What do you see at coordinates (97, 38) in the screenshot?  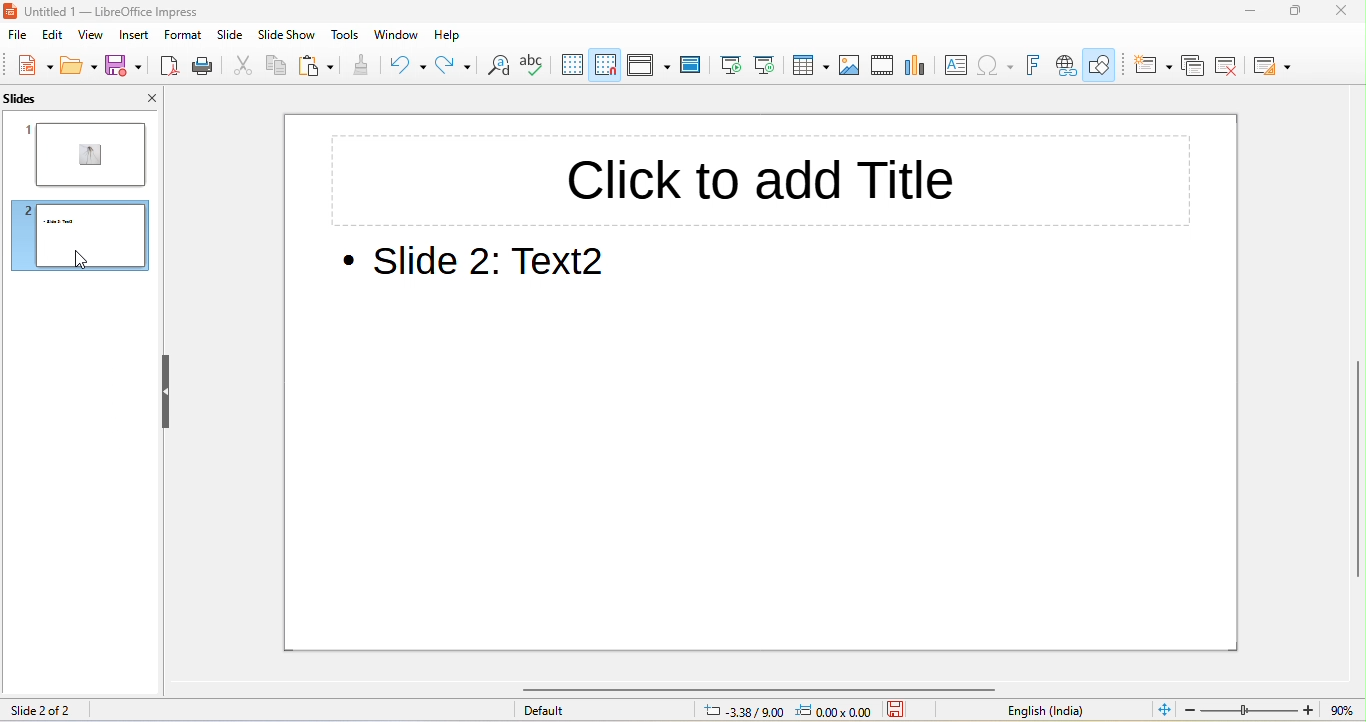 I see `view` at bounding box center [97, 38].